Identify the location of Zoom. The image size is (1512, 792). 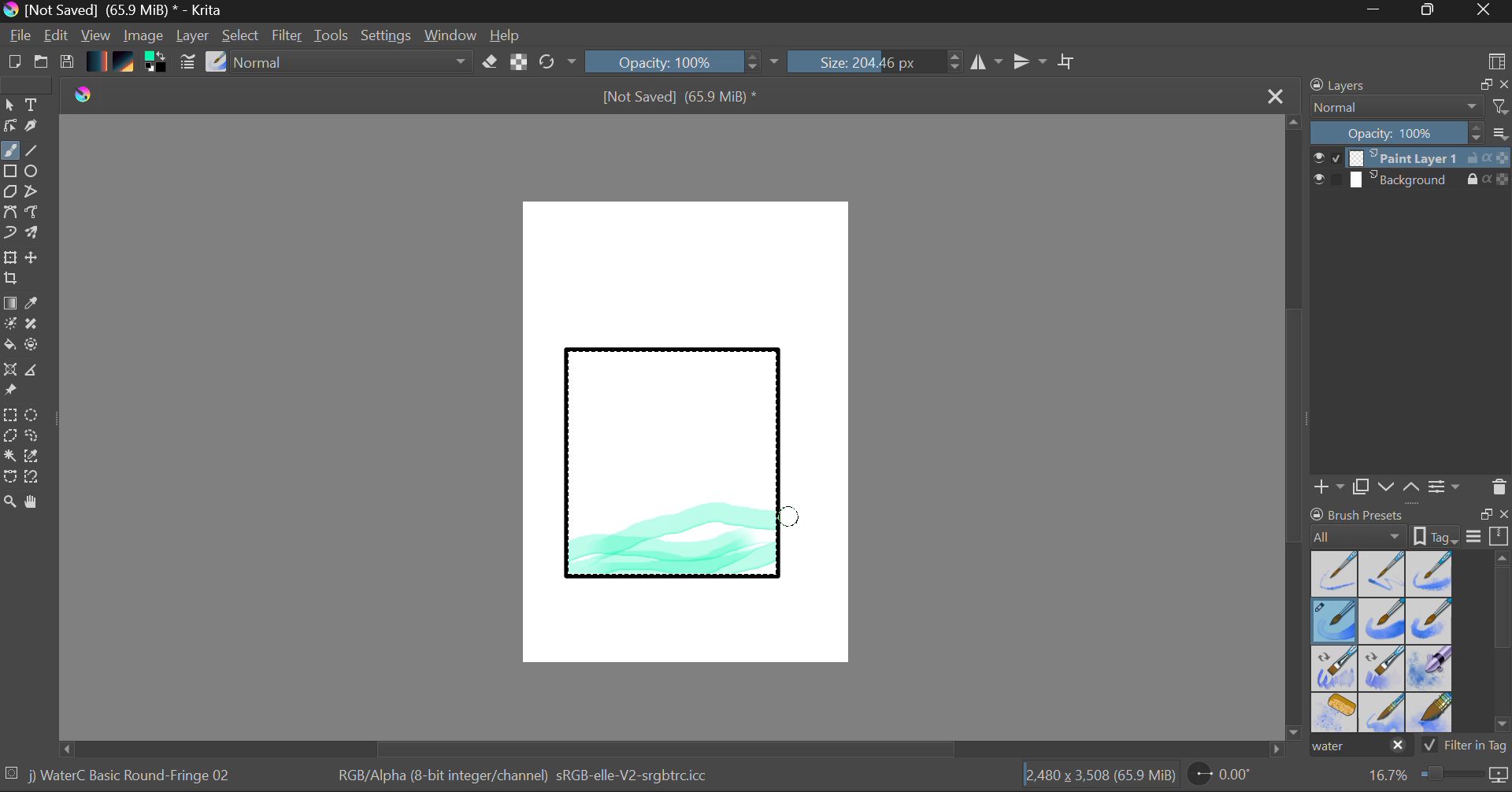
(1436, 775).